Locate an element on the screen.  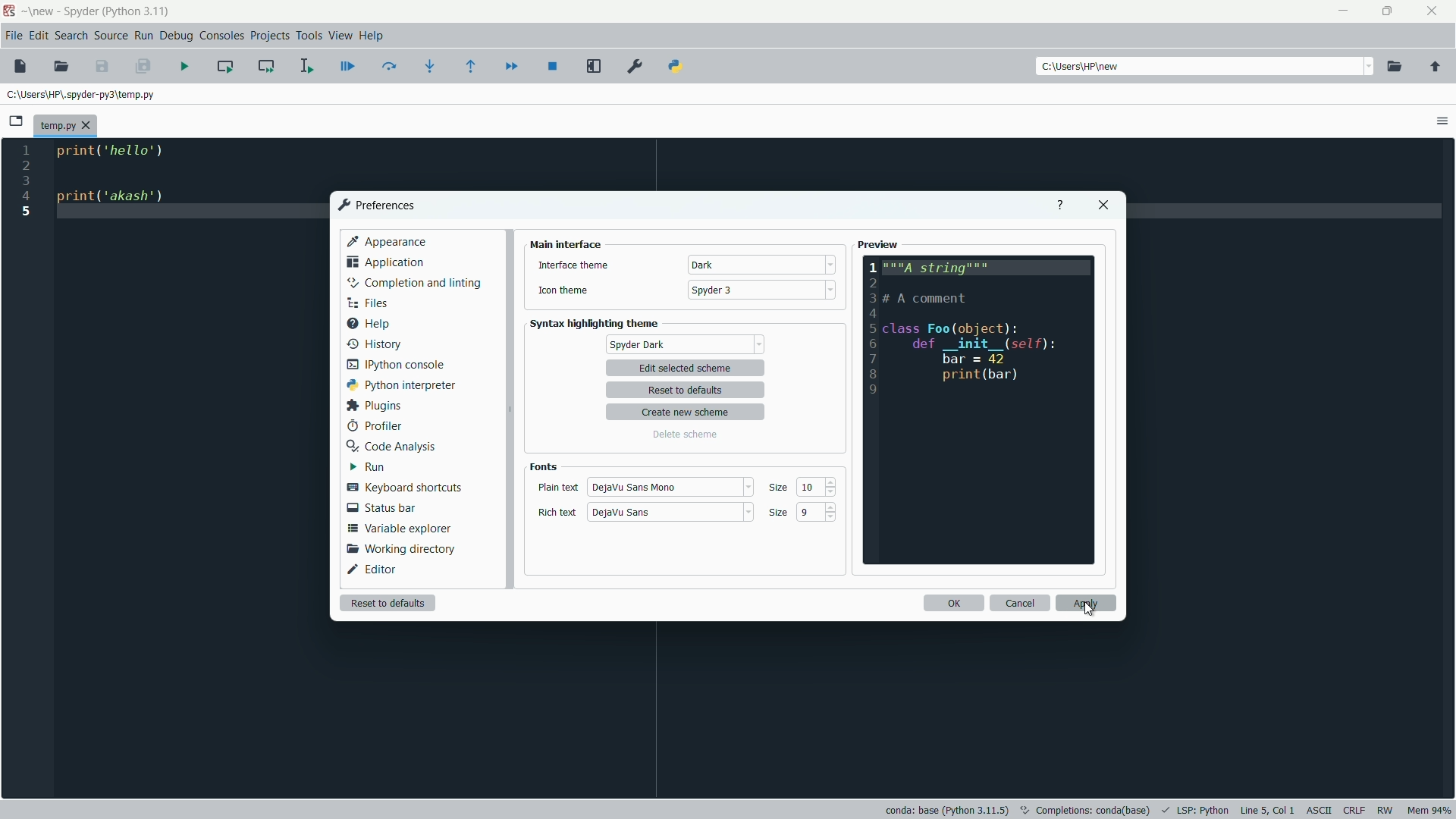
directory is located at coordinates (1084, 67).